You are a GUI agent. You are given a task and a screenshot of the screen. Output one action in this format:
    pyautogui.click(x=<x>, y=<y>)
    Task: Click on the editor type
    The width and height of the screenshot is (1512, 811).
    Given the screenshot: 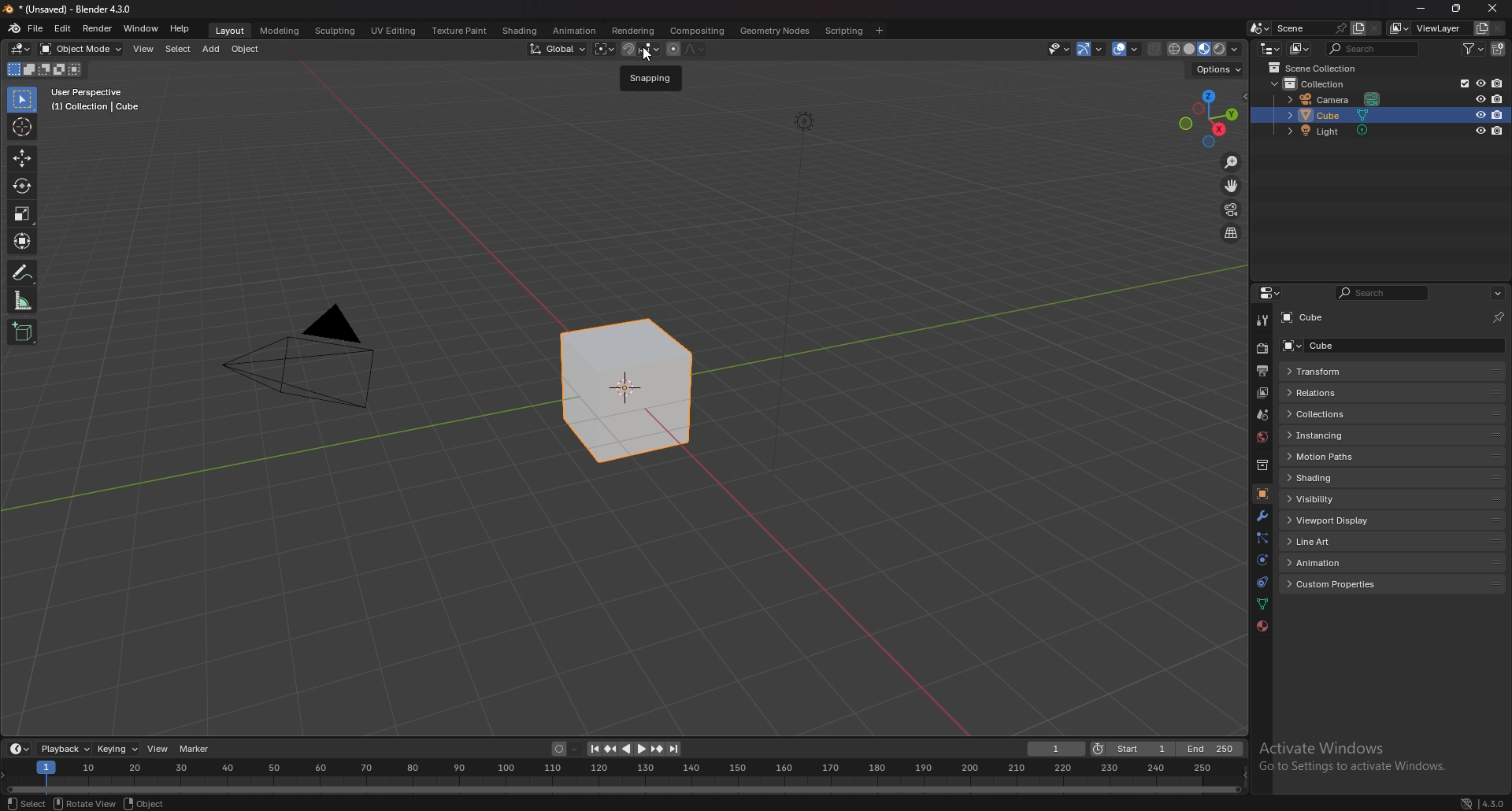 What is the action you would take?
    pyautogui.click(x=20, y=748)
    